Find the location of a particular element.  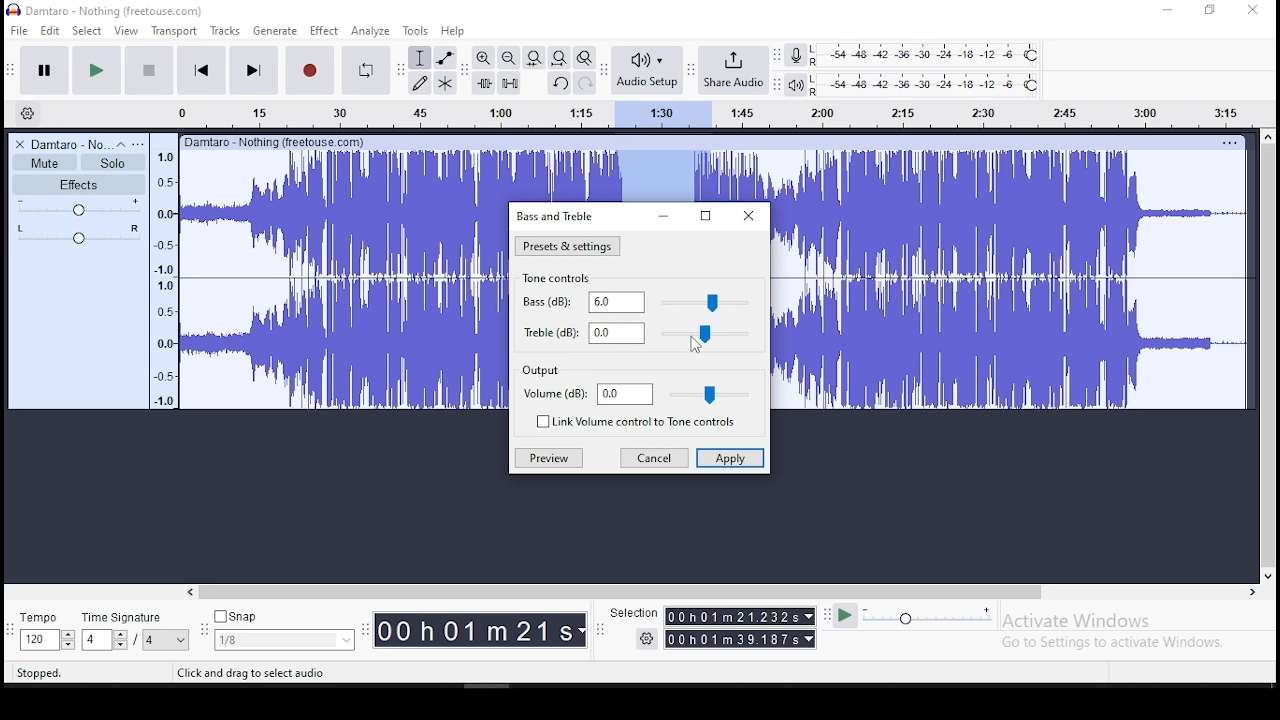

help is located at coordinates (453, 32).